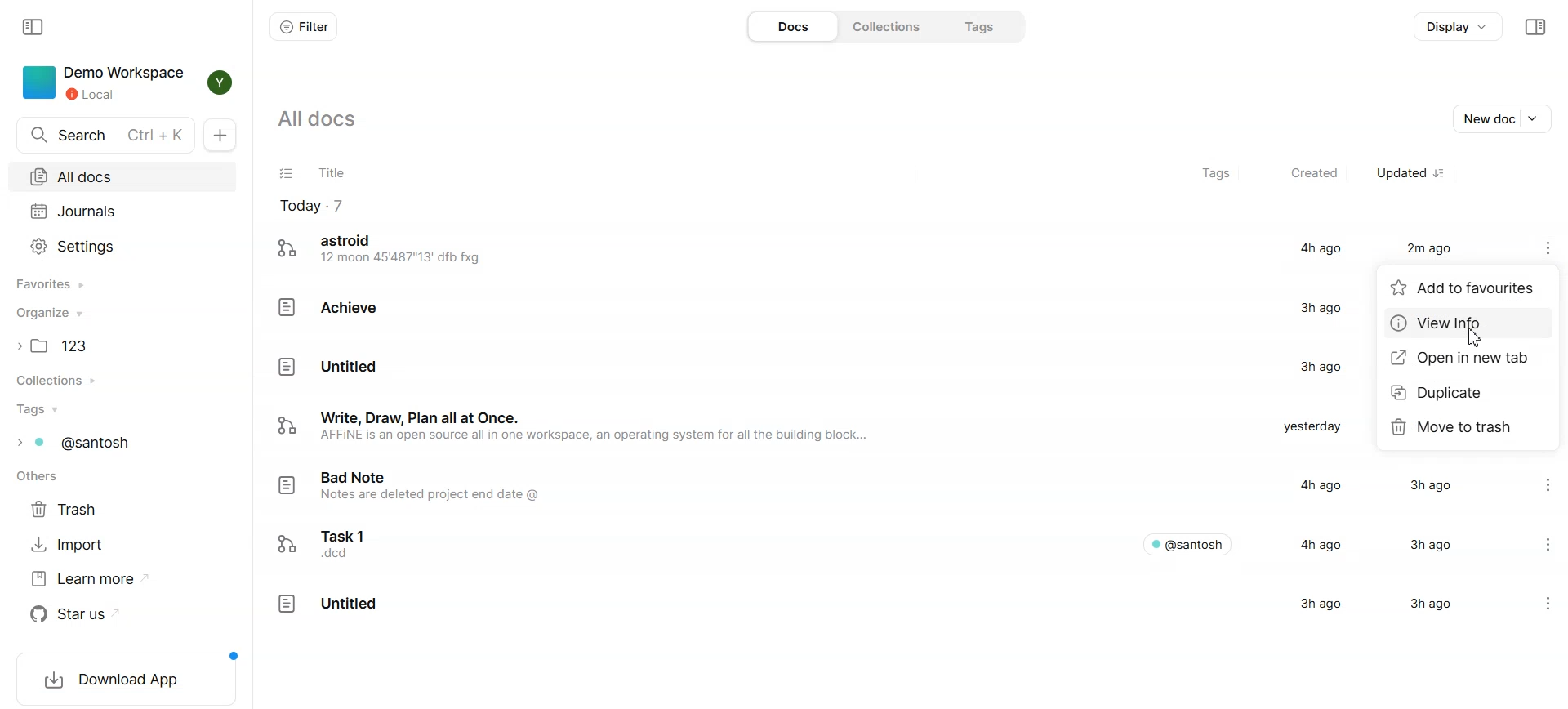  Describe the element at coordinates (1459, 26) in the screenshot. I see `Display` at that location.